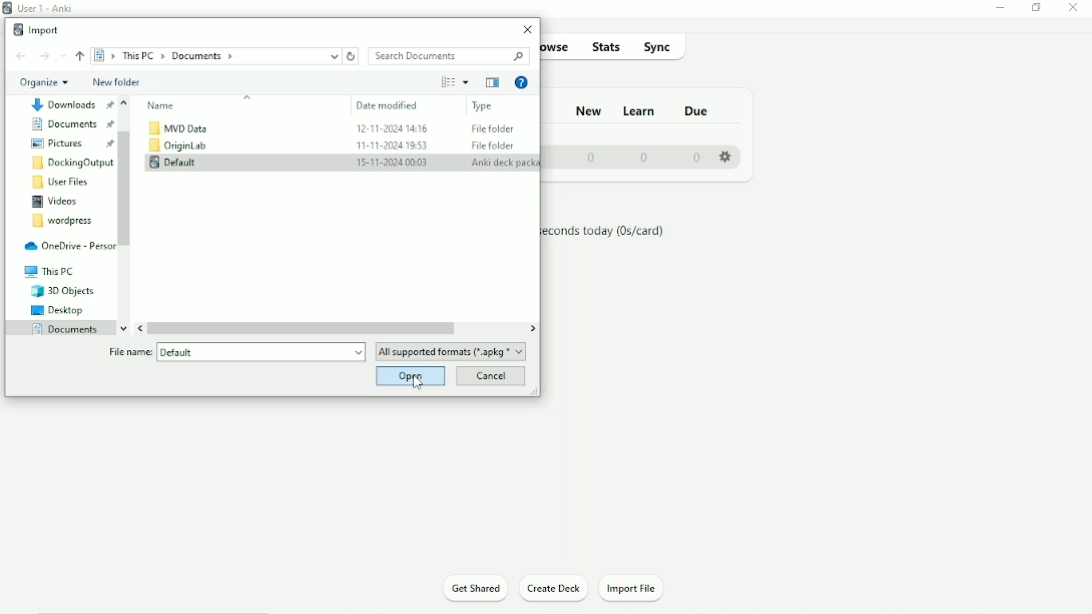 This screenshot has height=614, width=1092. What do you see at coordinates (726, 158) in the screenshot?
I see `Settings` at bounding box center [726, 158].